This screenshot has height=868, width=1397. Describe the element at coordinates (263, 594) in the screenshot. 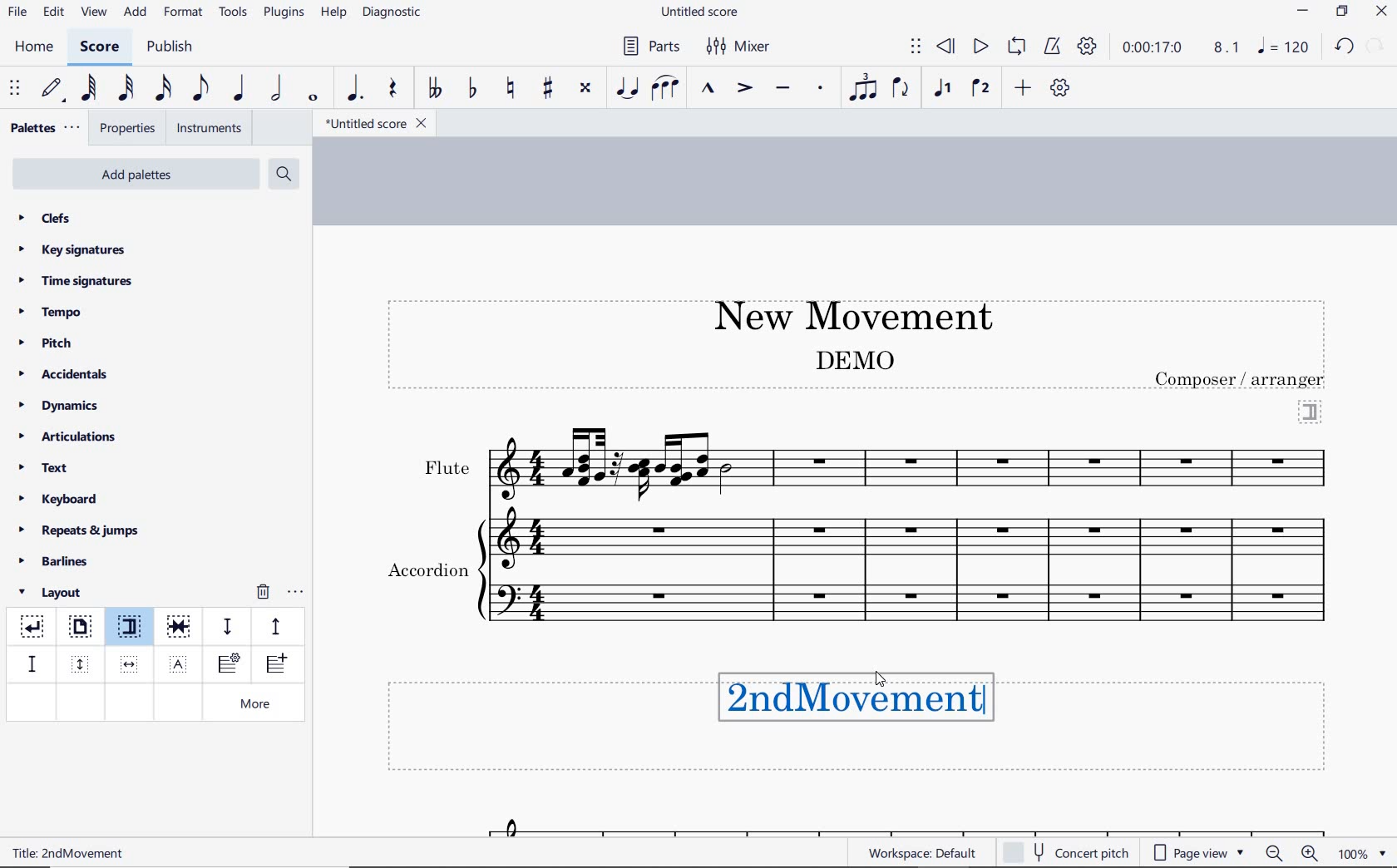

I see `remove layout` at that location.